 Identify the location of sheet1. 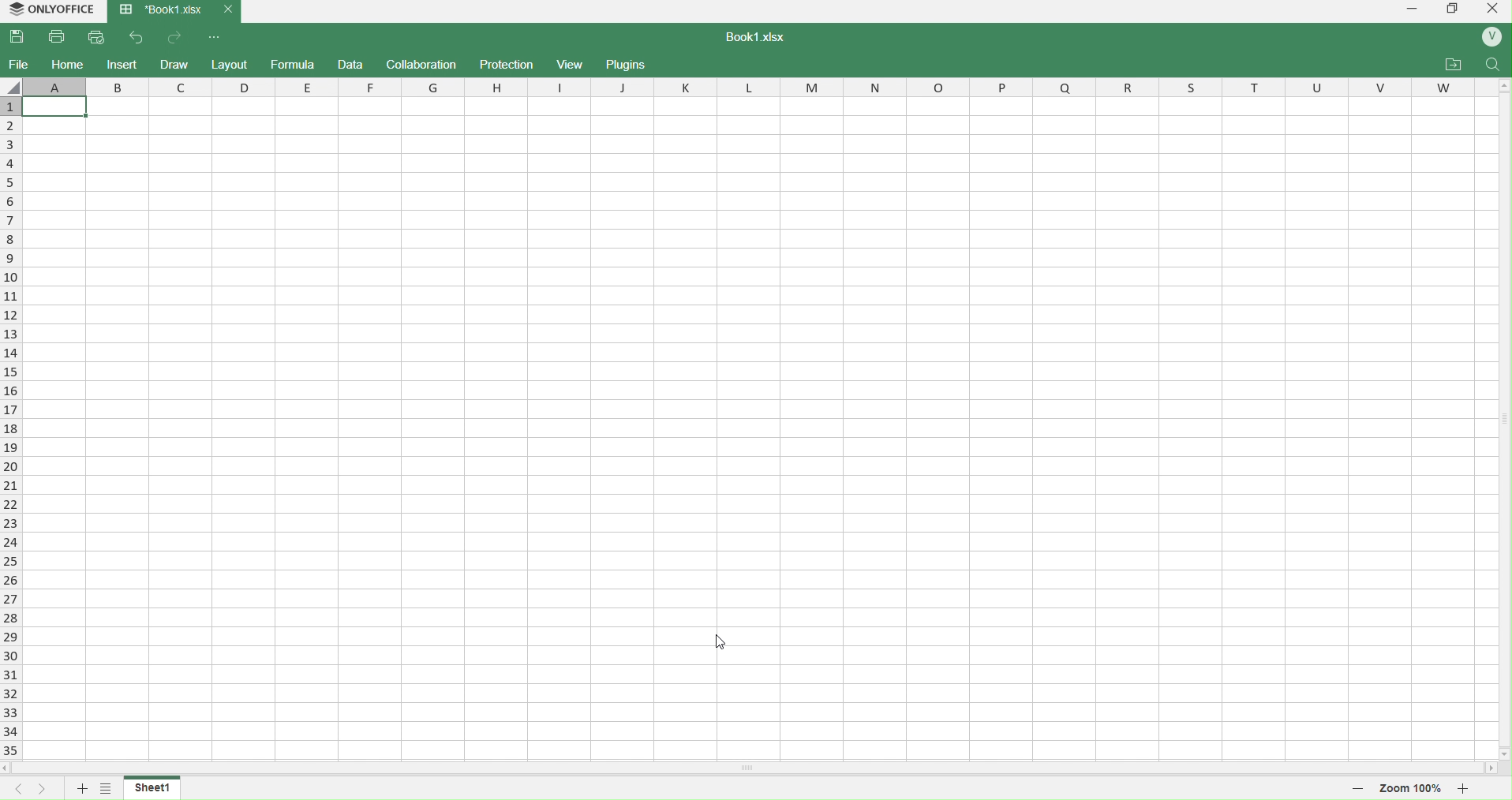
(154, 787).